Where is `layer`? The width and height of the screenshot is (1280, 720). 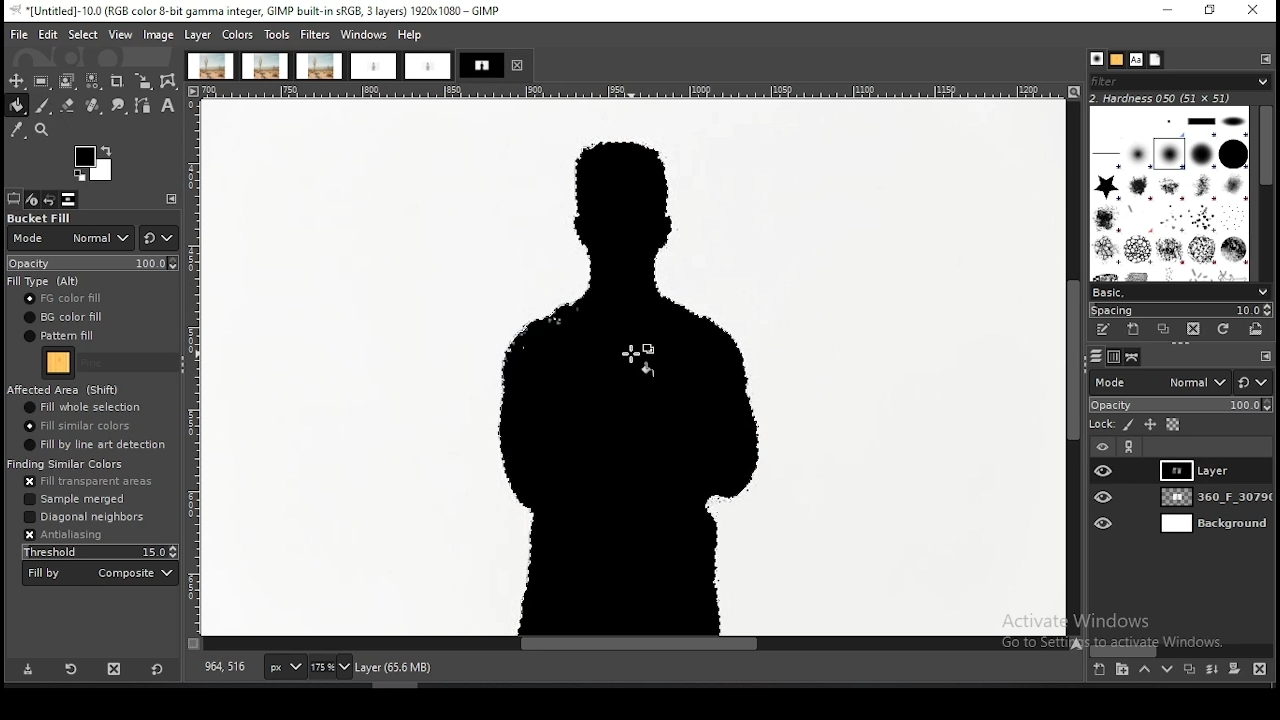
layer is located at coordinates (1212, 497).